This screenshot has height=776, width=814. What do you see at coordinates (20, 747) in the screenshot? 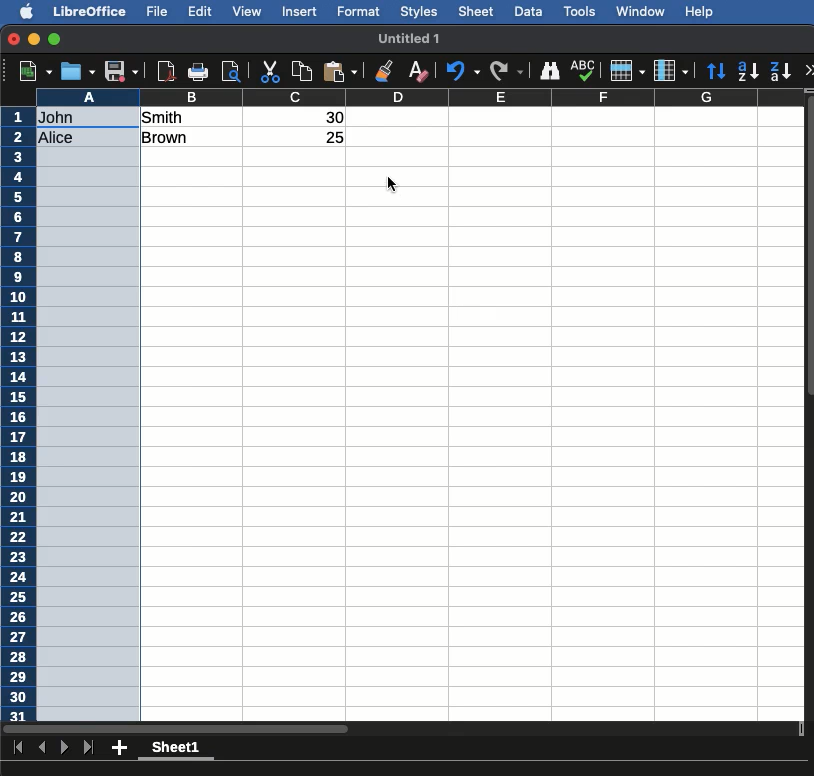
I see `First sheet` at bounding box center [20, 747].